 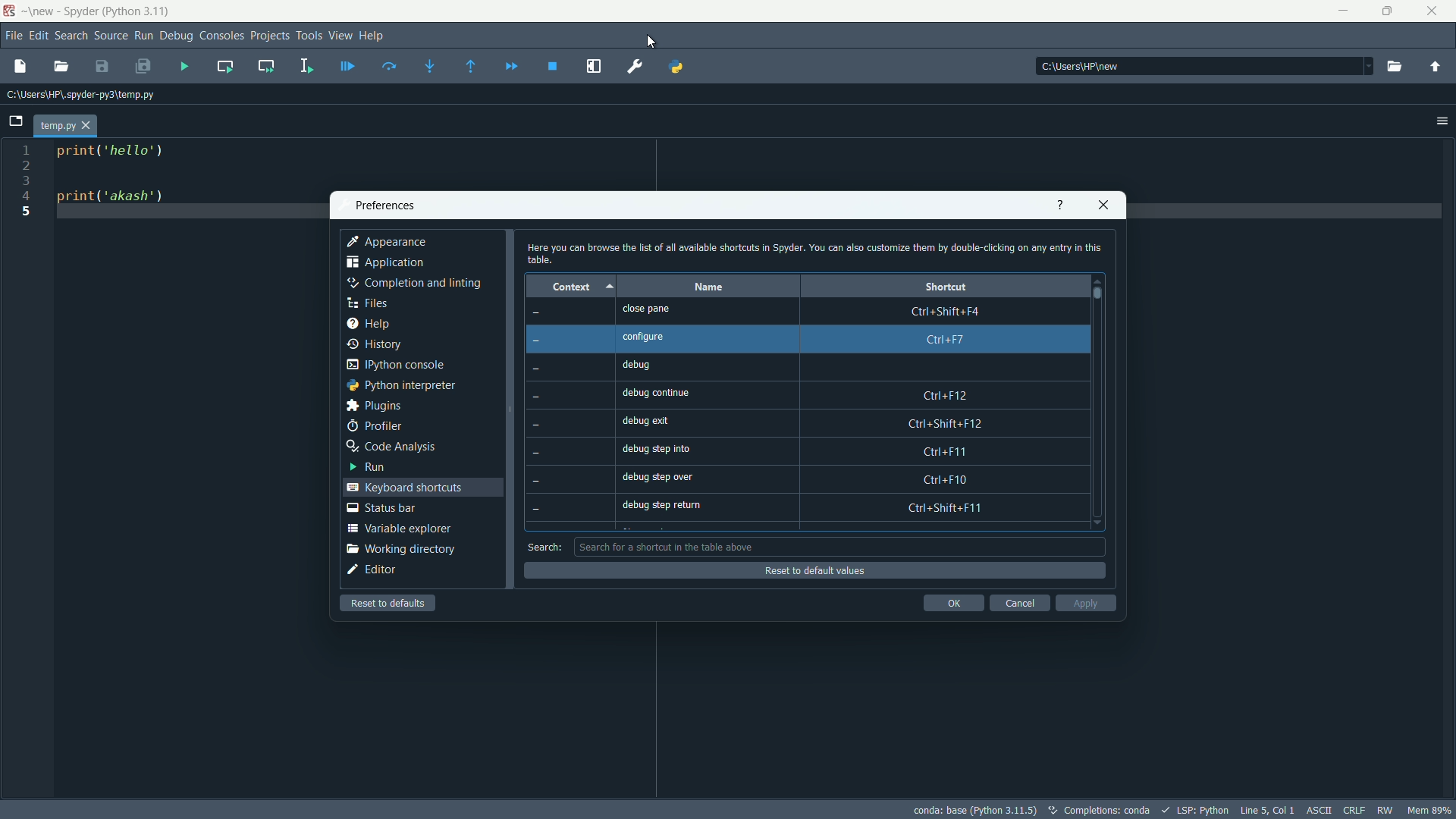 What do you see at coordinates (61, 67) in the screenshot?
I see `open file` at bounding box center [61, 67].